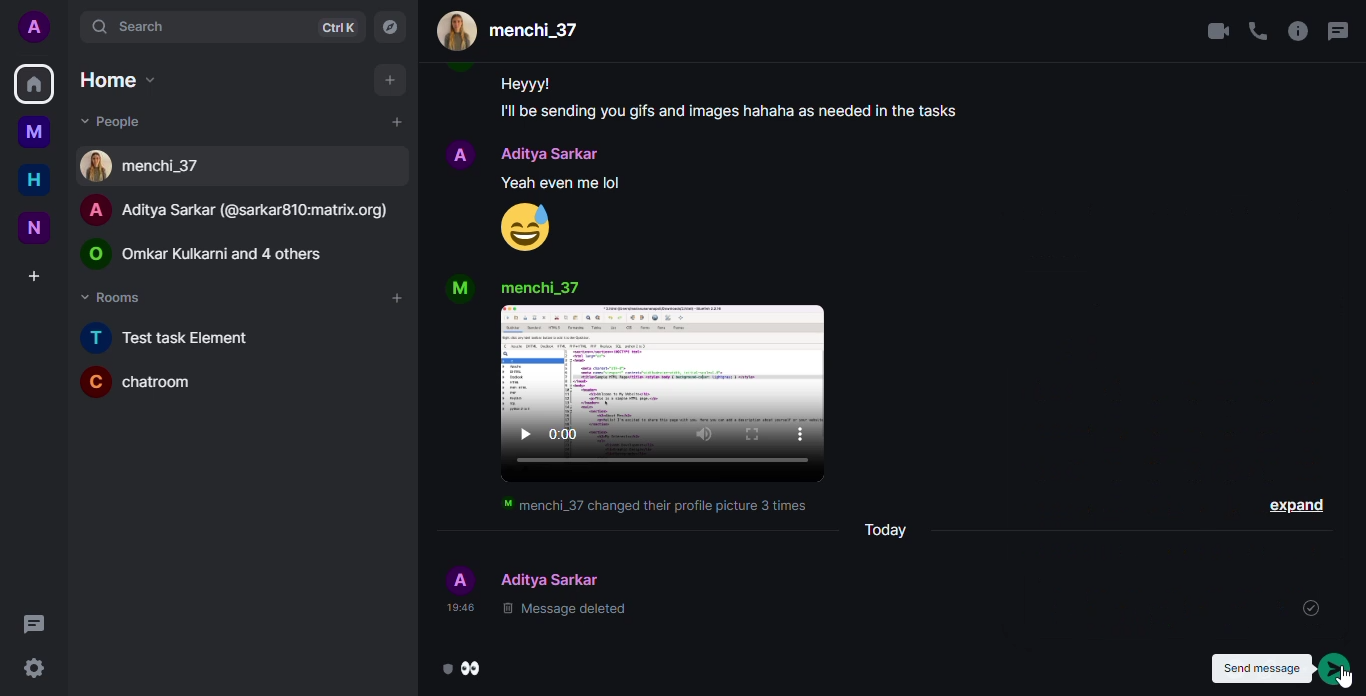 The width and height of the screenshot is (1366, 696). Describe the element at coordinates (334, 29) in the screenshot. I see `ctrlK` at that location.